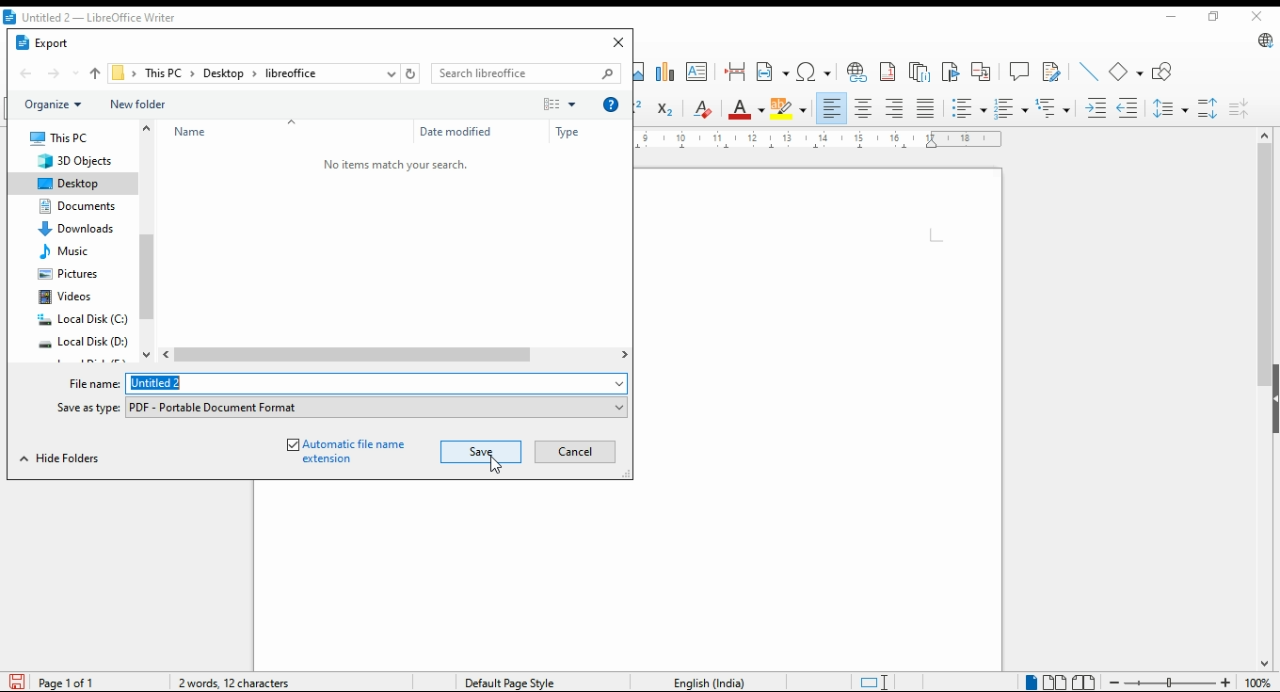 The height and width of the screenshot is (692, 1280). Describe the element at coordinates (792, 108) in the screenshot. I see `highlight` at that location.